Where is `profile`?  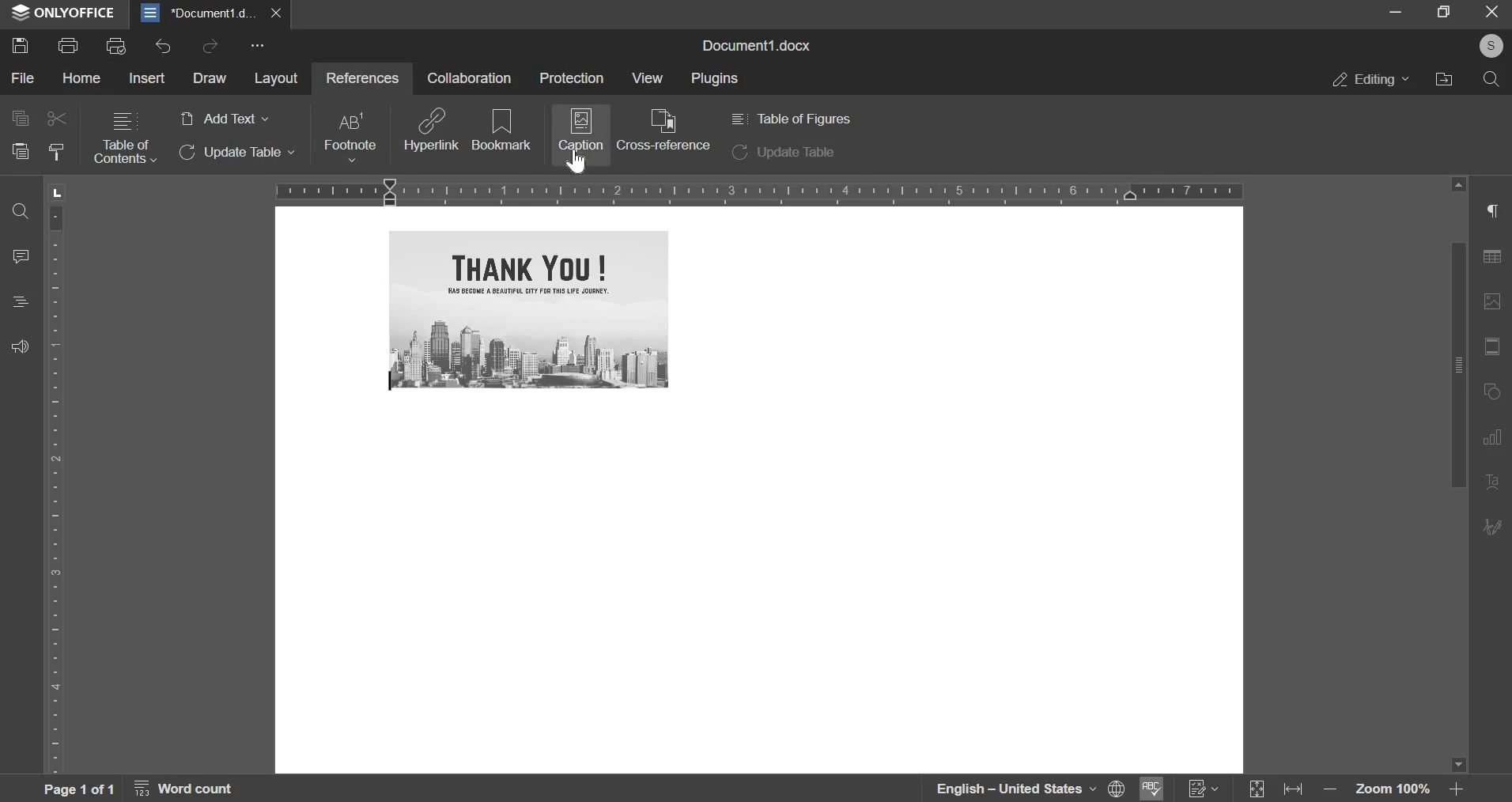 profile is located at coordinates (1489, 46).